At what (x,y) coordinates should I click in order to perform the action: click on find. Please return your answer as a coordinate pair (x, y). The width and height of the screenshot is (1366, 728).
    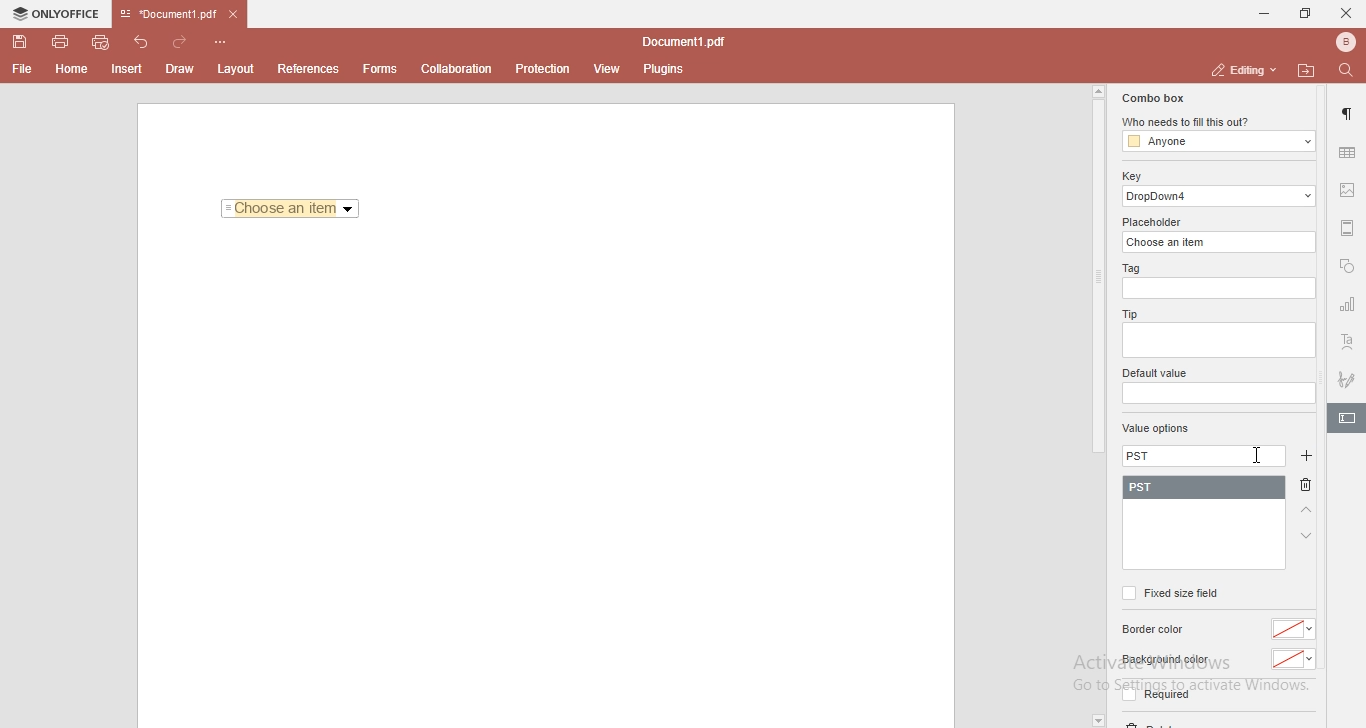
    Looking at the image, I should click on (1350, 69).